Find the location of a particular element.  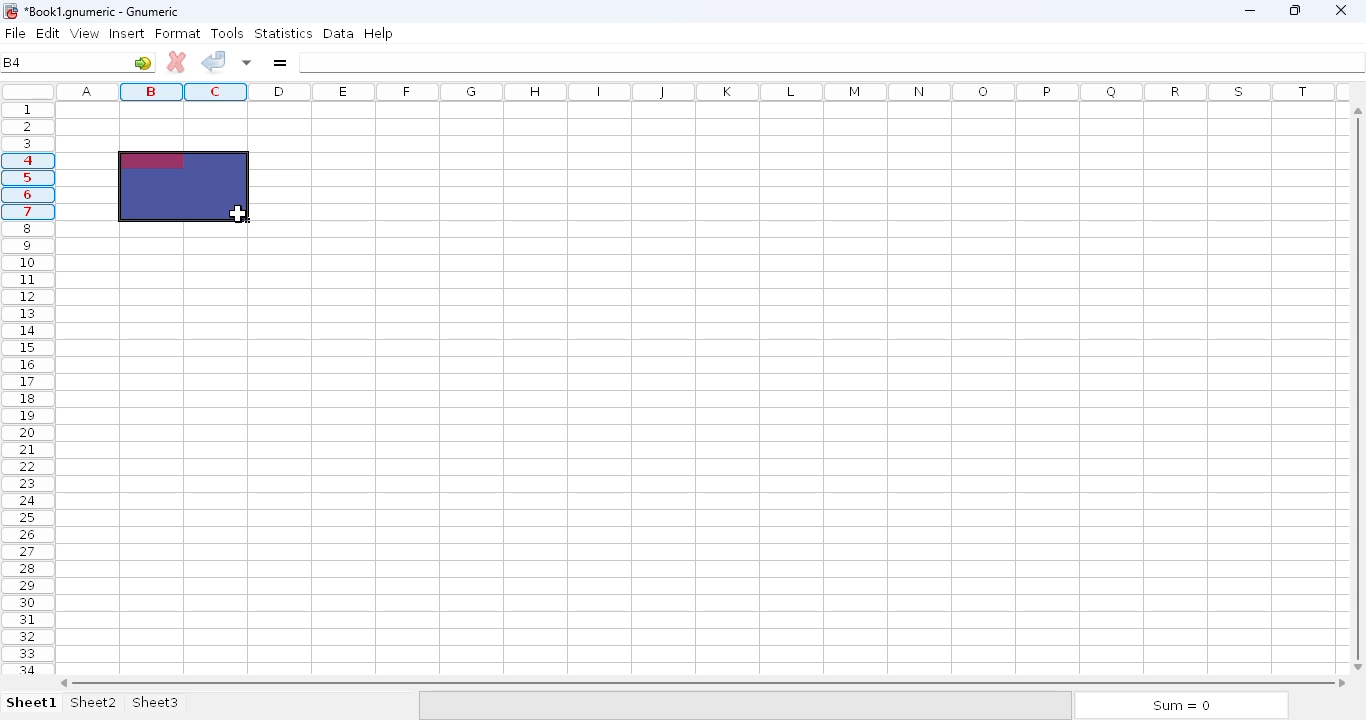

data is located at coordinates (338, 33).